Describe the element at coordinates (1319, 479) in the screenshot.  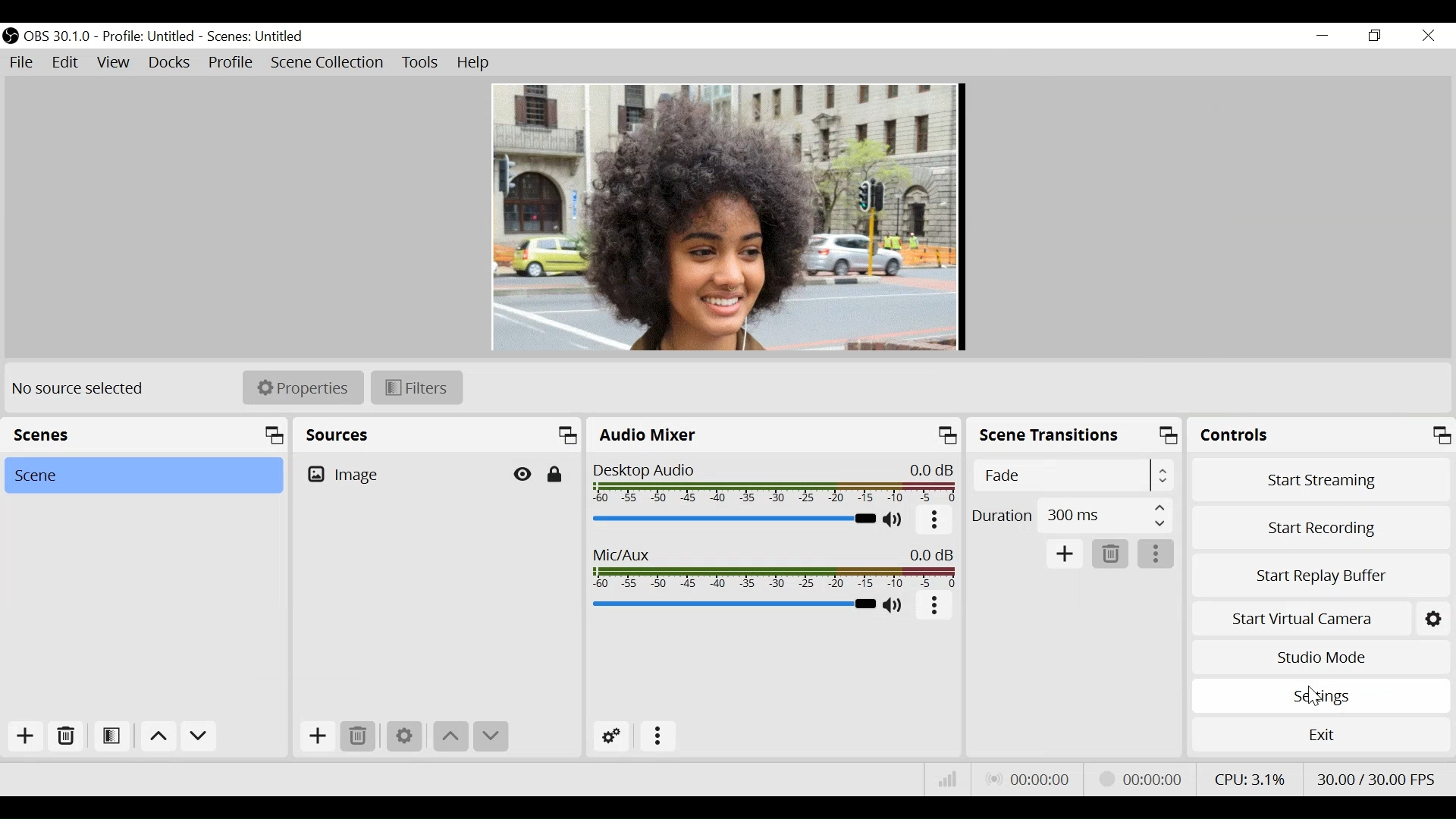
I see `Start Streaming` at that location.